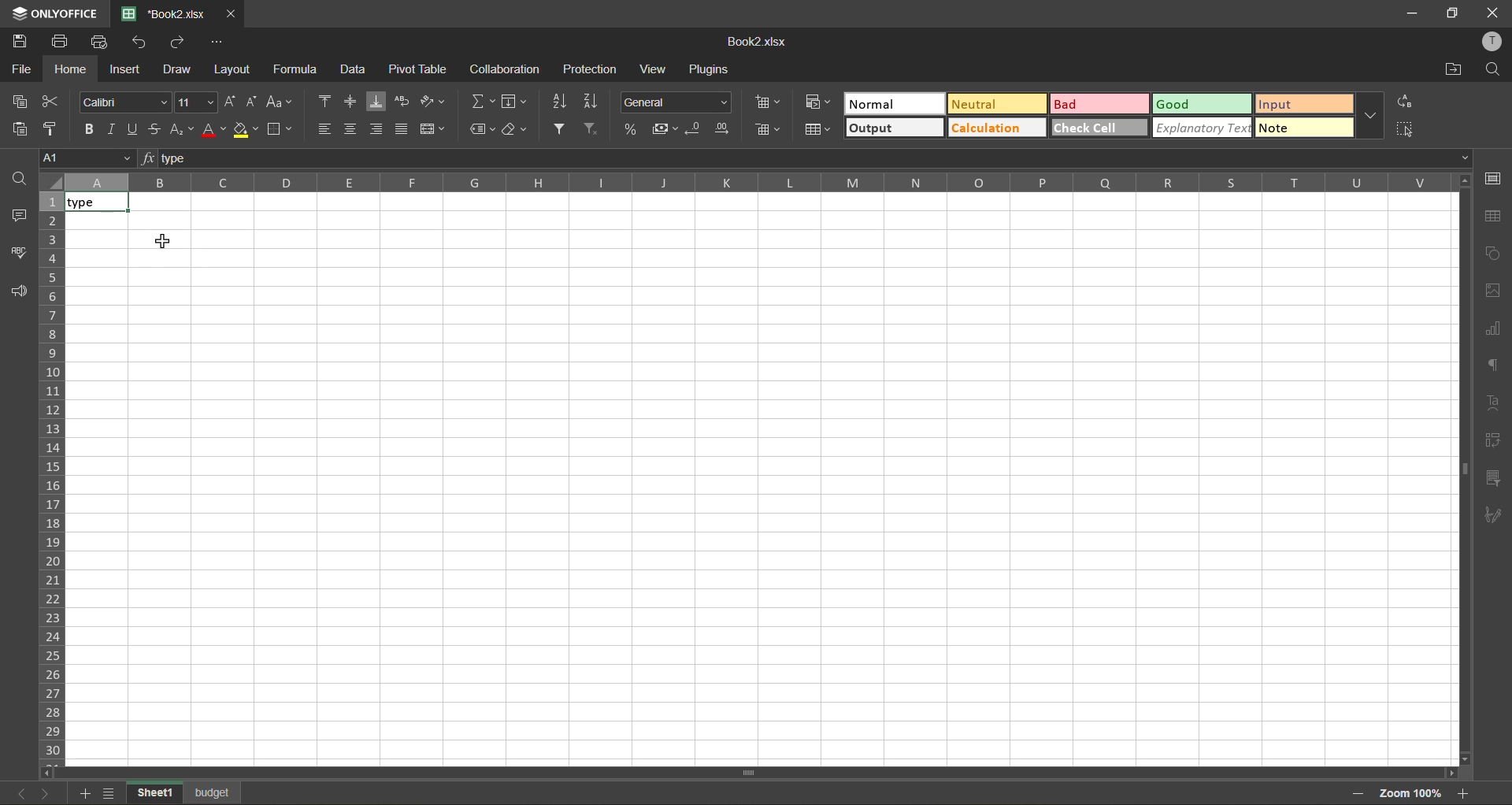 The width and height of the screenshot is (1512, 805). I want to click on pivot table, so click(419, 69).